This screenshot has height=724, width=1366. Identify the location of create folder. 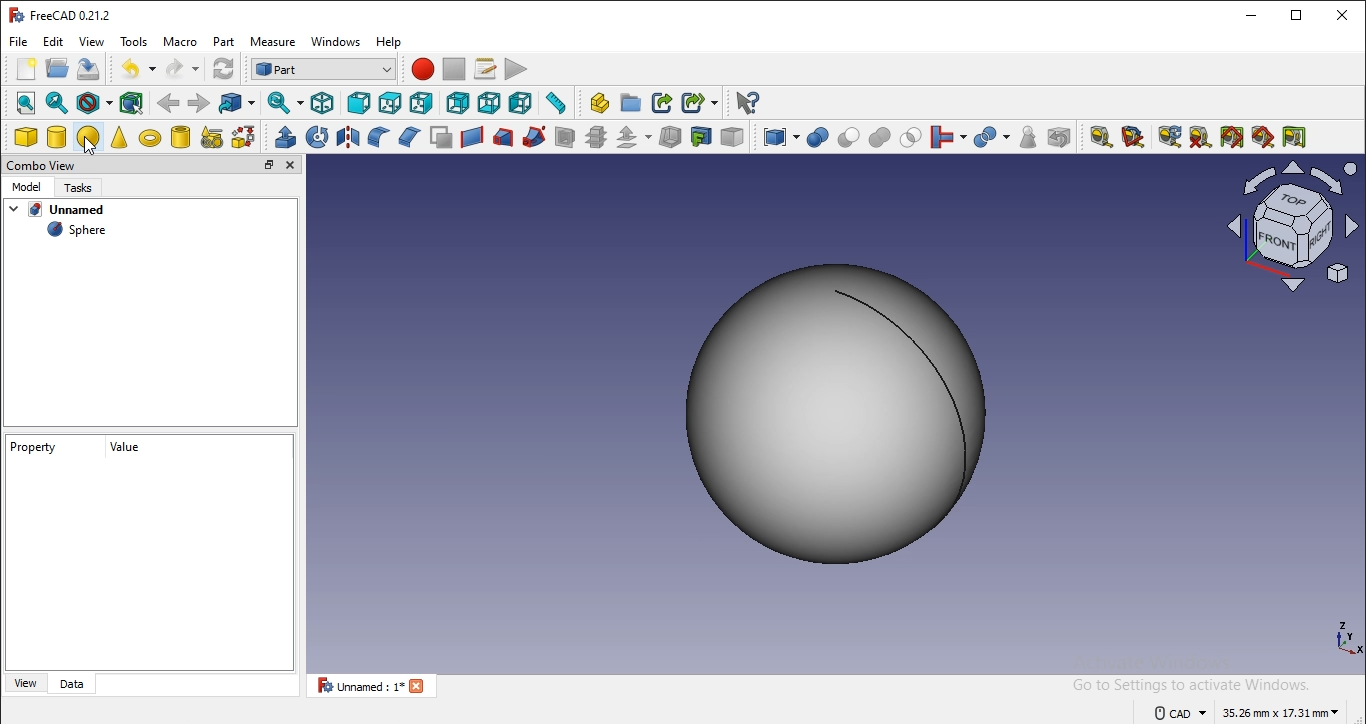
(631, 102).